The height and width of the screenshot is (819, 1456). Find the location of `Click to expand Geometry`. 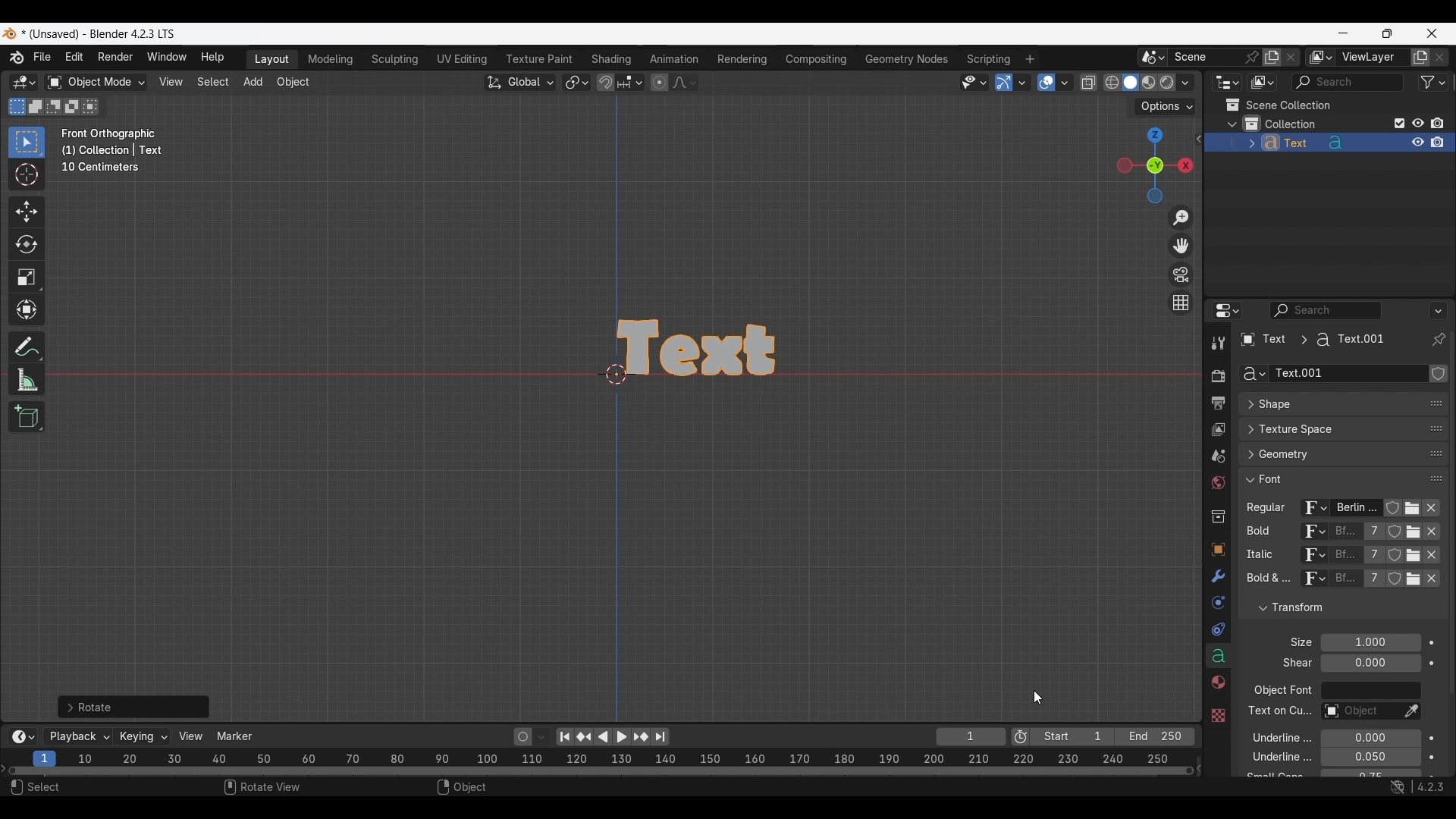

Click to expand Geometry is located at coordinates (1328, 454).